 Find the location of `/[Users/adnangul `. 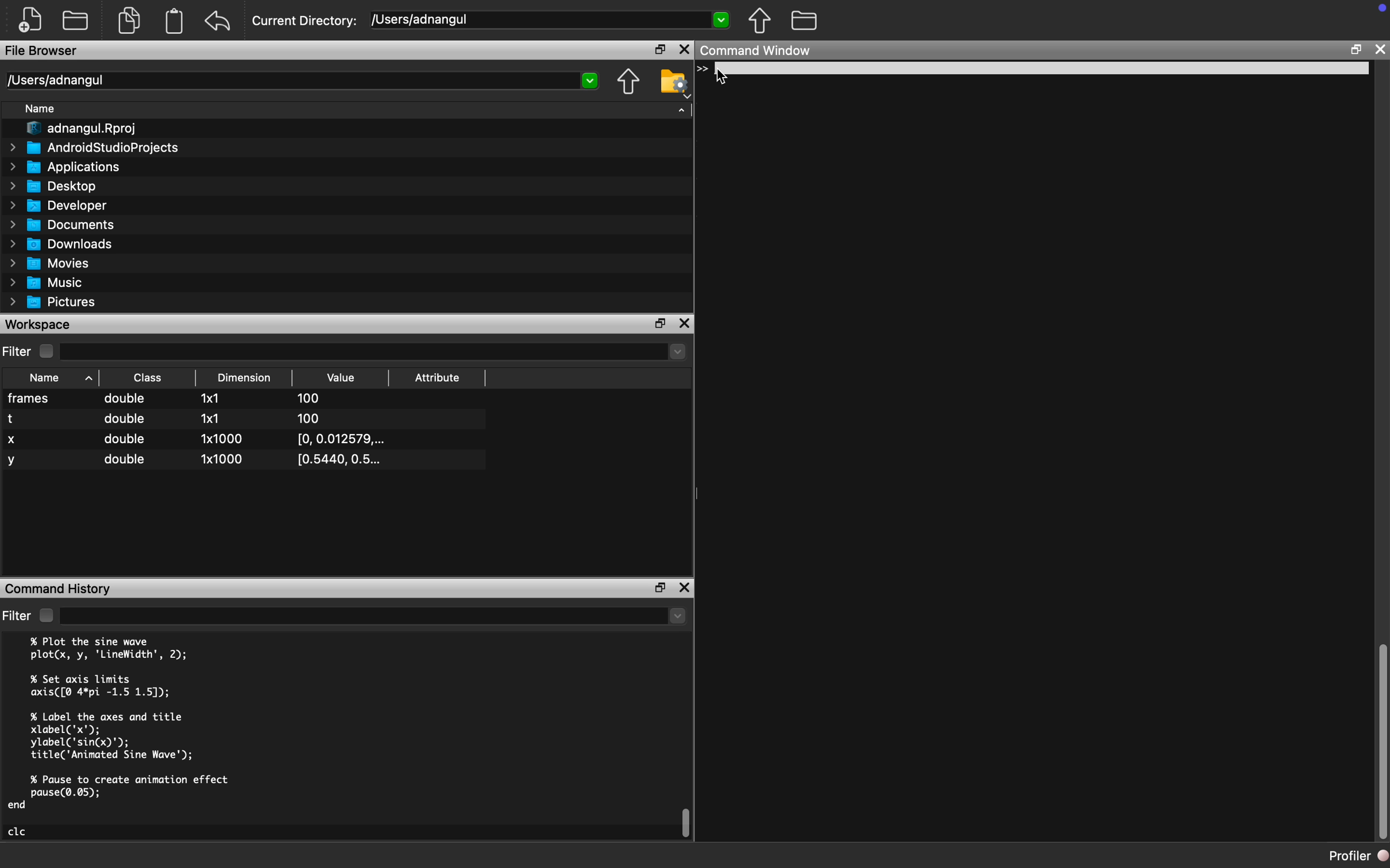

/[Users/adnangul  is located at coordinates (551, 19).